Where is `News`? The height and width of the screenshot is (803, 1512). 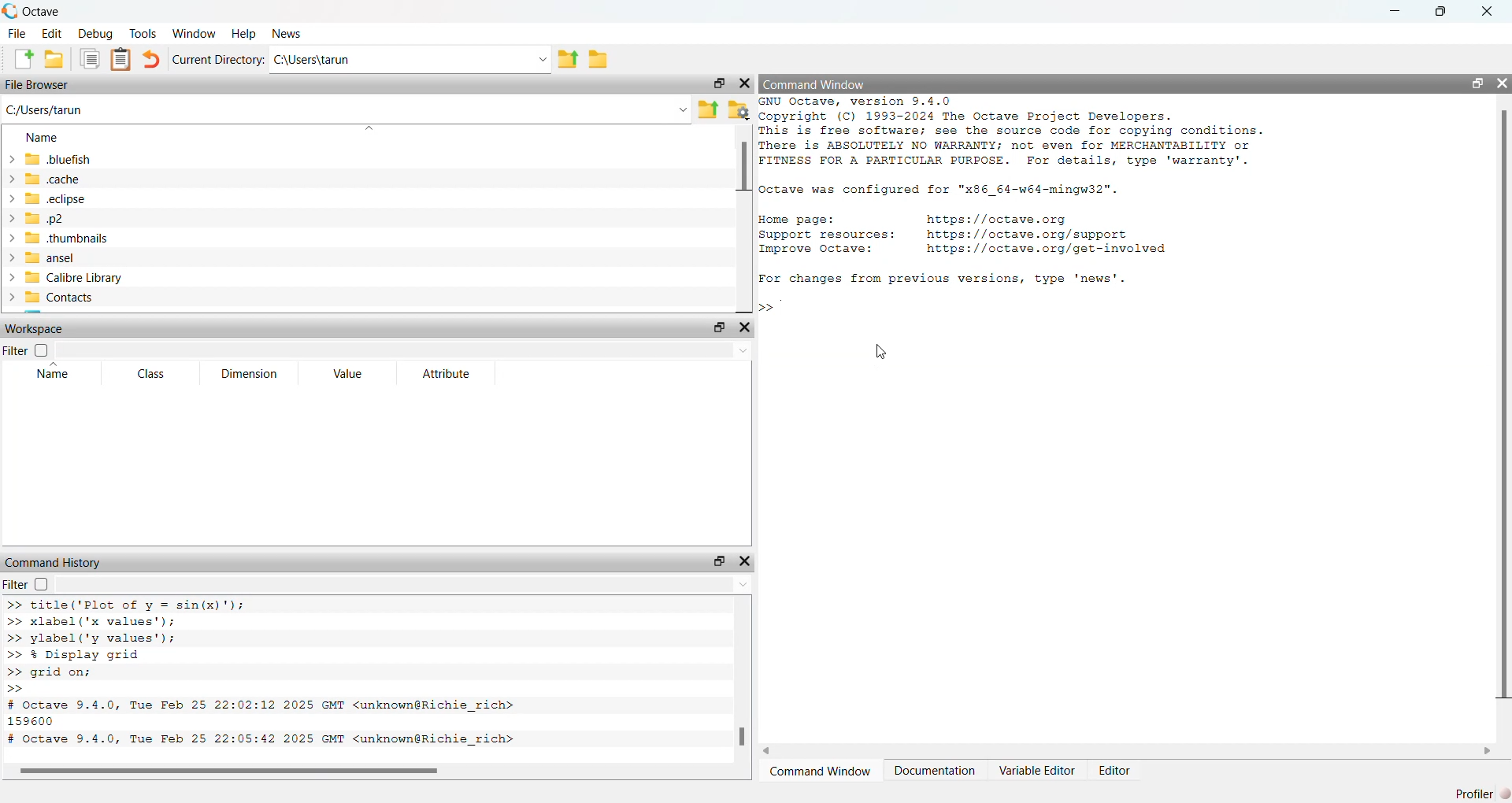 News is located at coordinates (286, 35).